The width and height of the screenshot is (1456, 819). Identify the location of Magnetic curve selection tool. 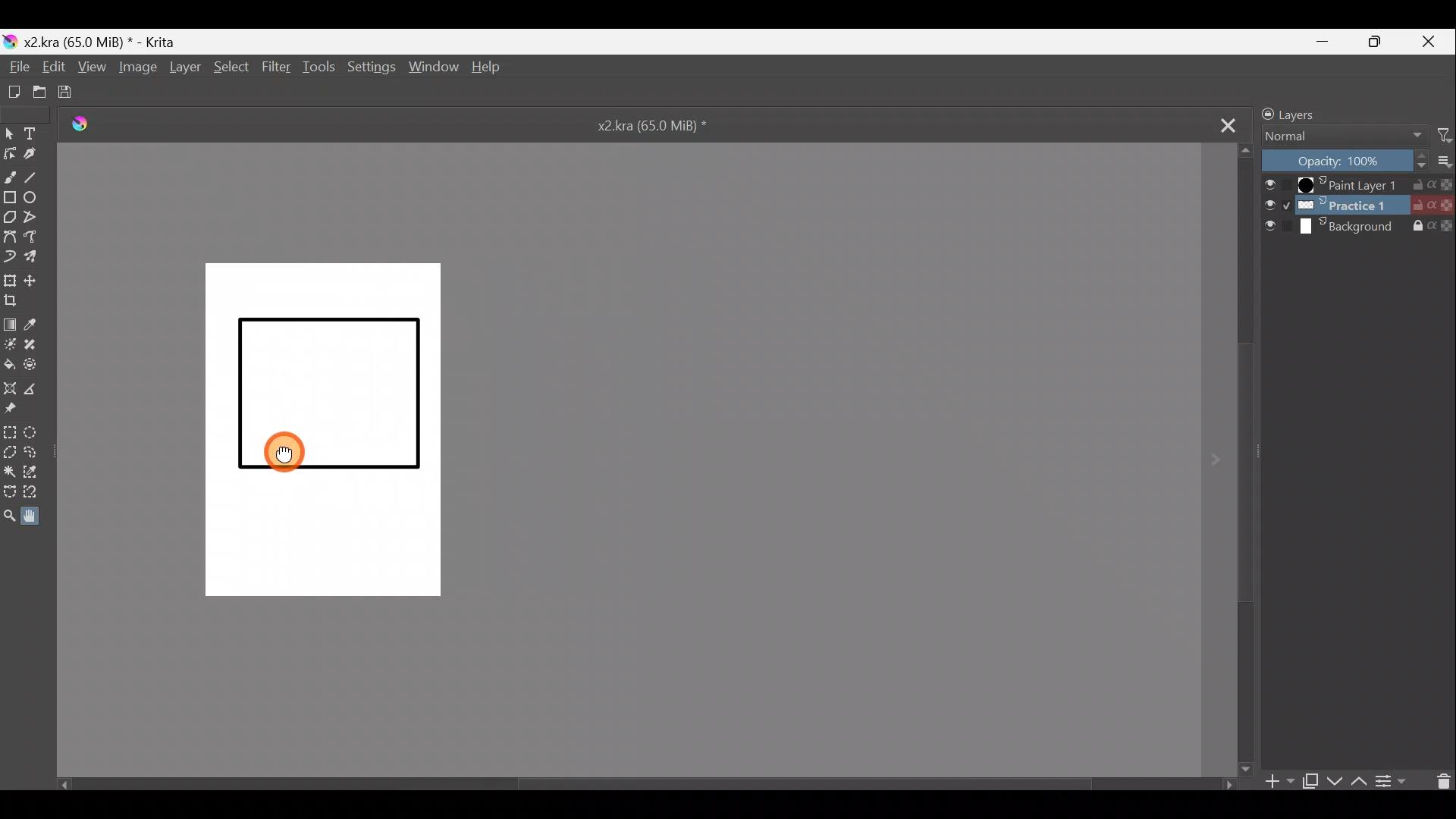
(43, 493).